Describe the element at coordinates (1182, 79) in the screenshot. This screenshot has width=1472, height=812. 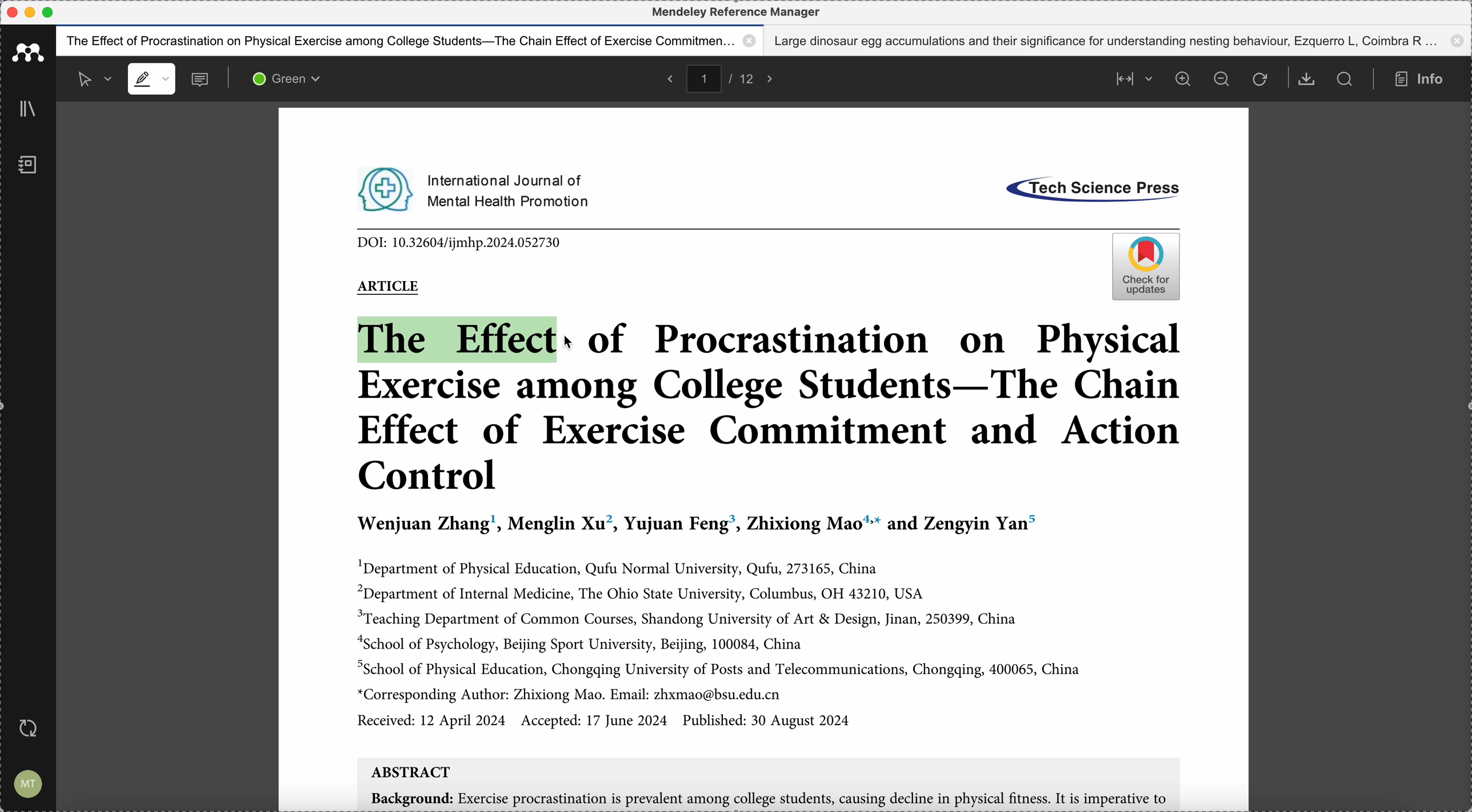
I see `zoom in` at that location.